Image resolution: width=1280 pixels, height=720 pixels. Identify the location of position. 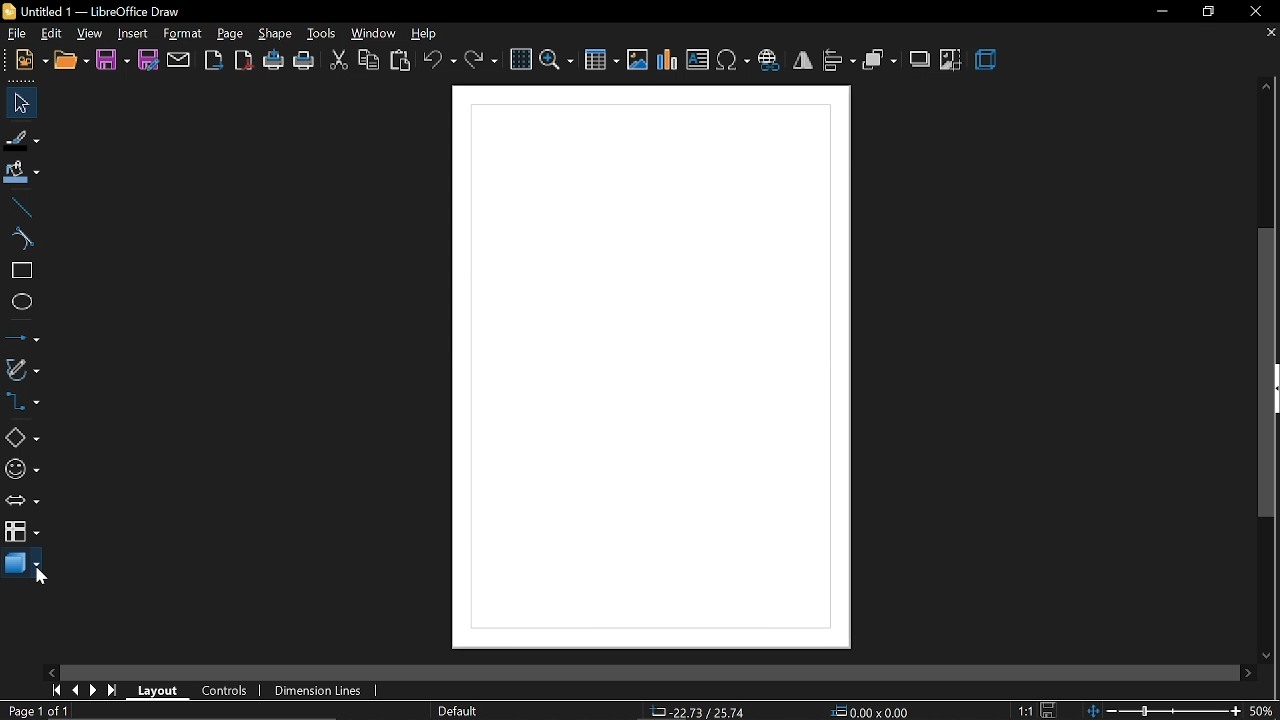
(872, 711).